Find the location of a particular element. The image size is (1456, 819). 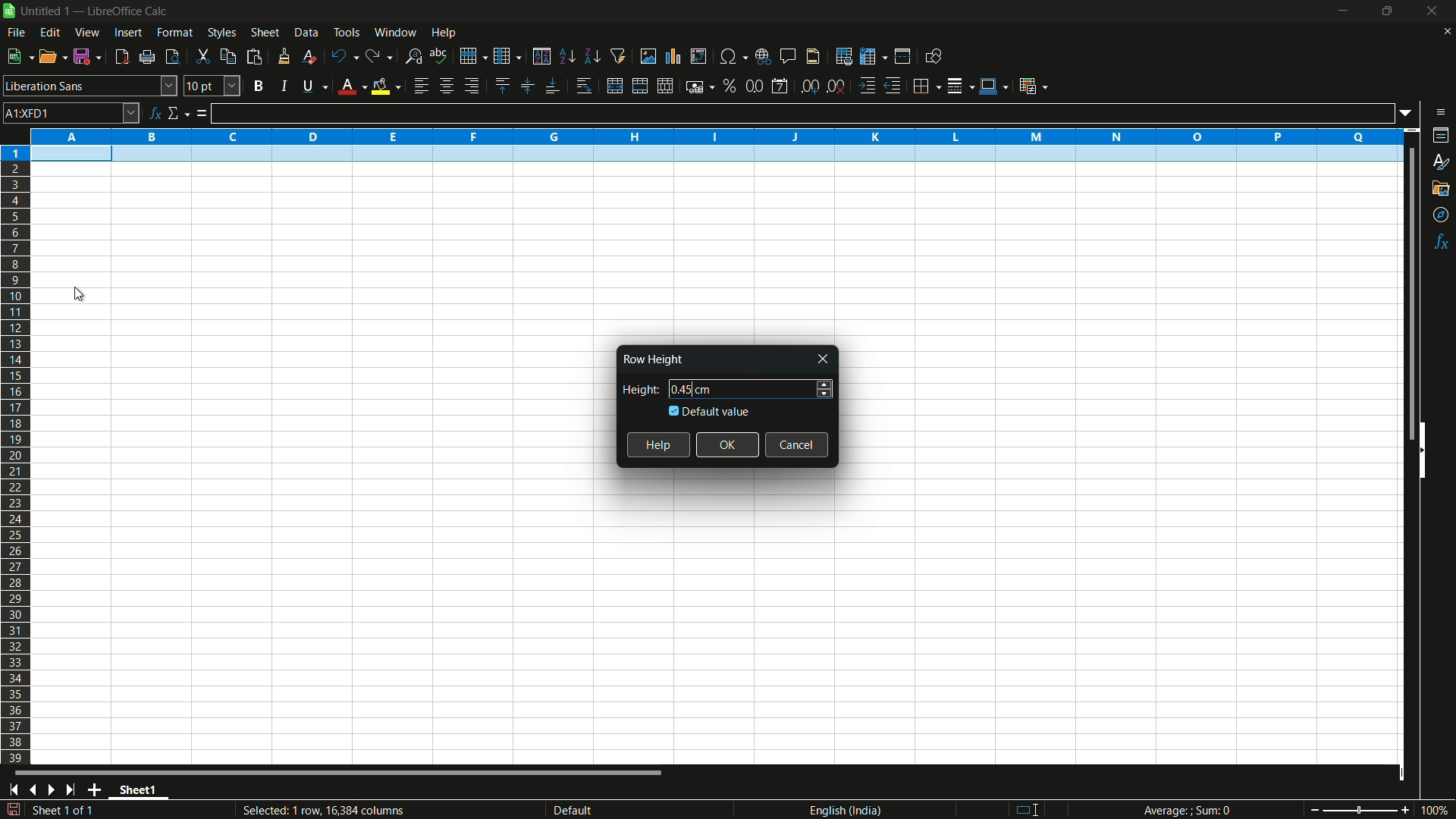

sort is located at coordinates (541, 56).